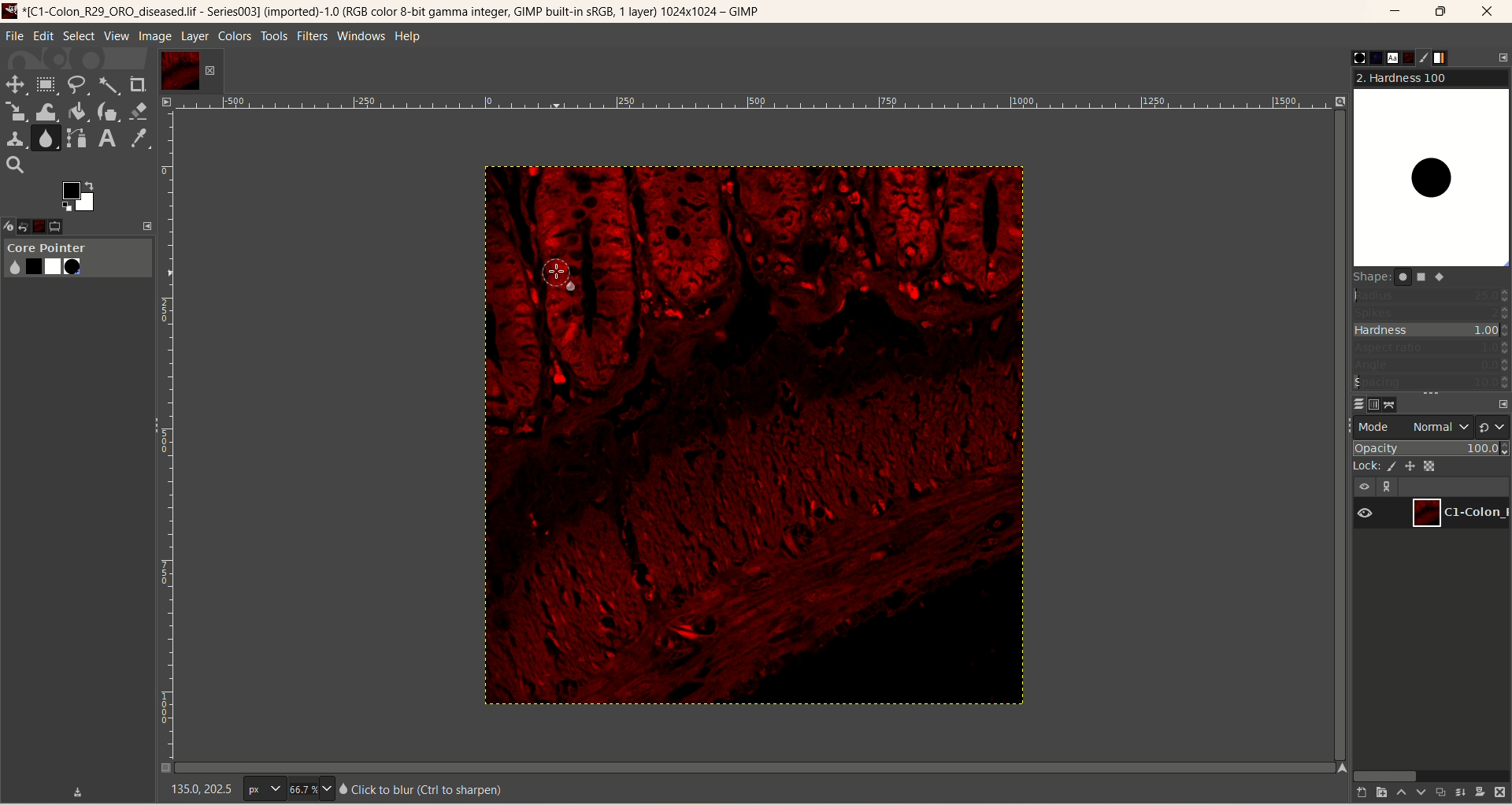  What do you see at coordinates (1393, 404) in the screenshot?
I see `path` at bounding box center [1393, 404].